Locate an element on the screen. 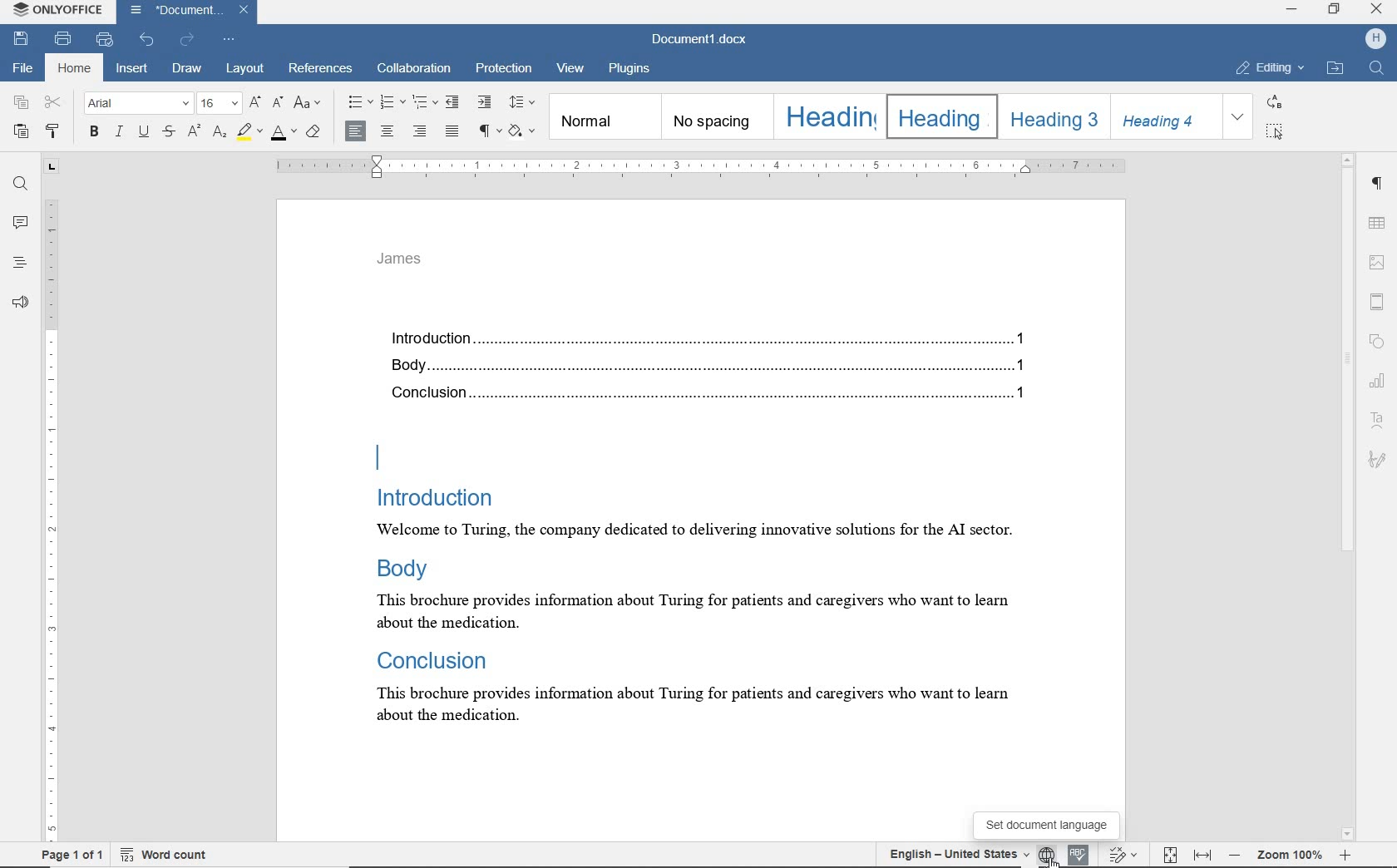 This screenshot has height=868, width=1397. font color is located at coordinates (285, 131).